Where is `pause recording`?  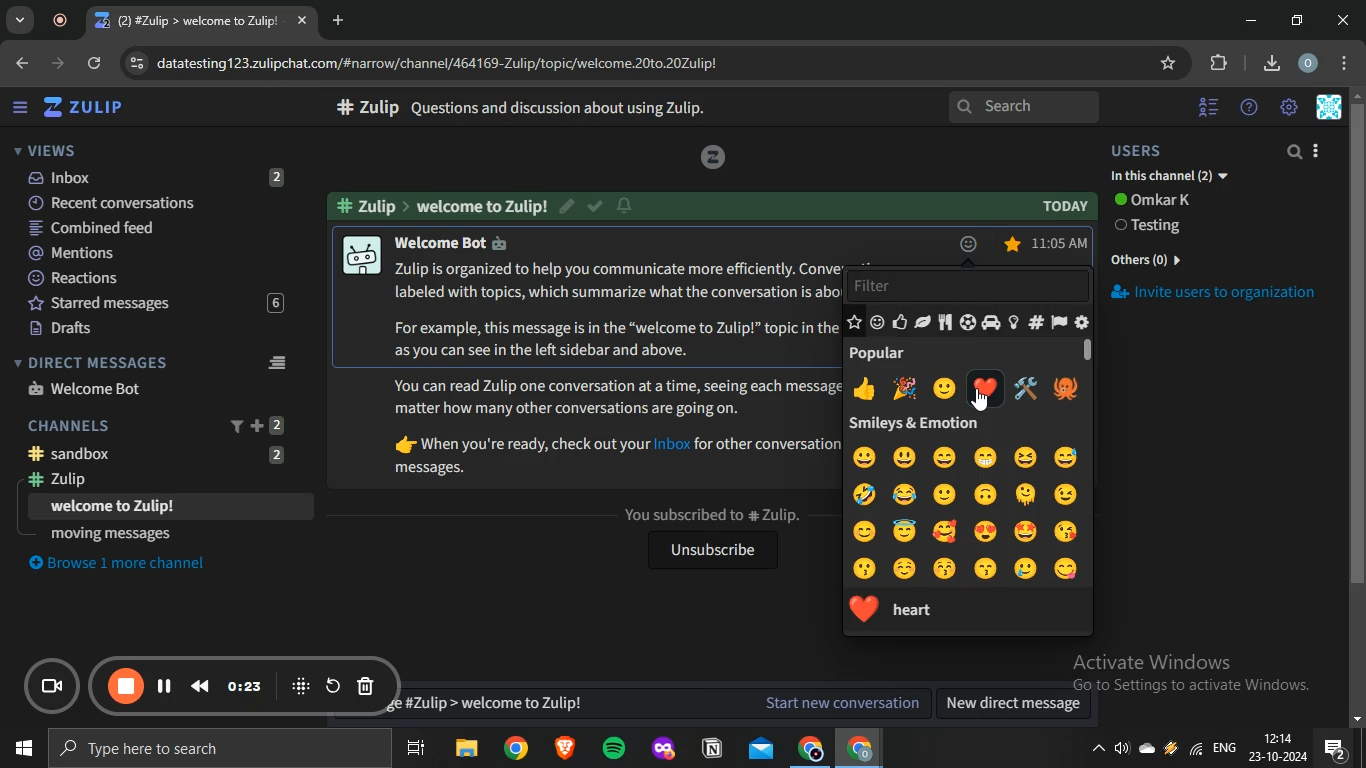 pause recording is located at coordinates (127, 687).